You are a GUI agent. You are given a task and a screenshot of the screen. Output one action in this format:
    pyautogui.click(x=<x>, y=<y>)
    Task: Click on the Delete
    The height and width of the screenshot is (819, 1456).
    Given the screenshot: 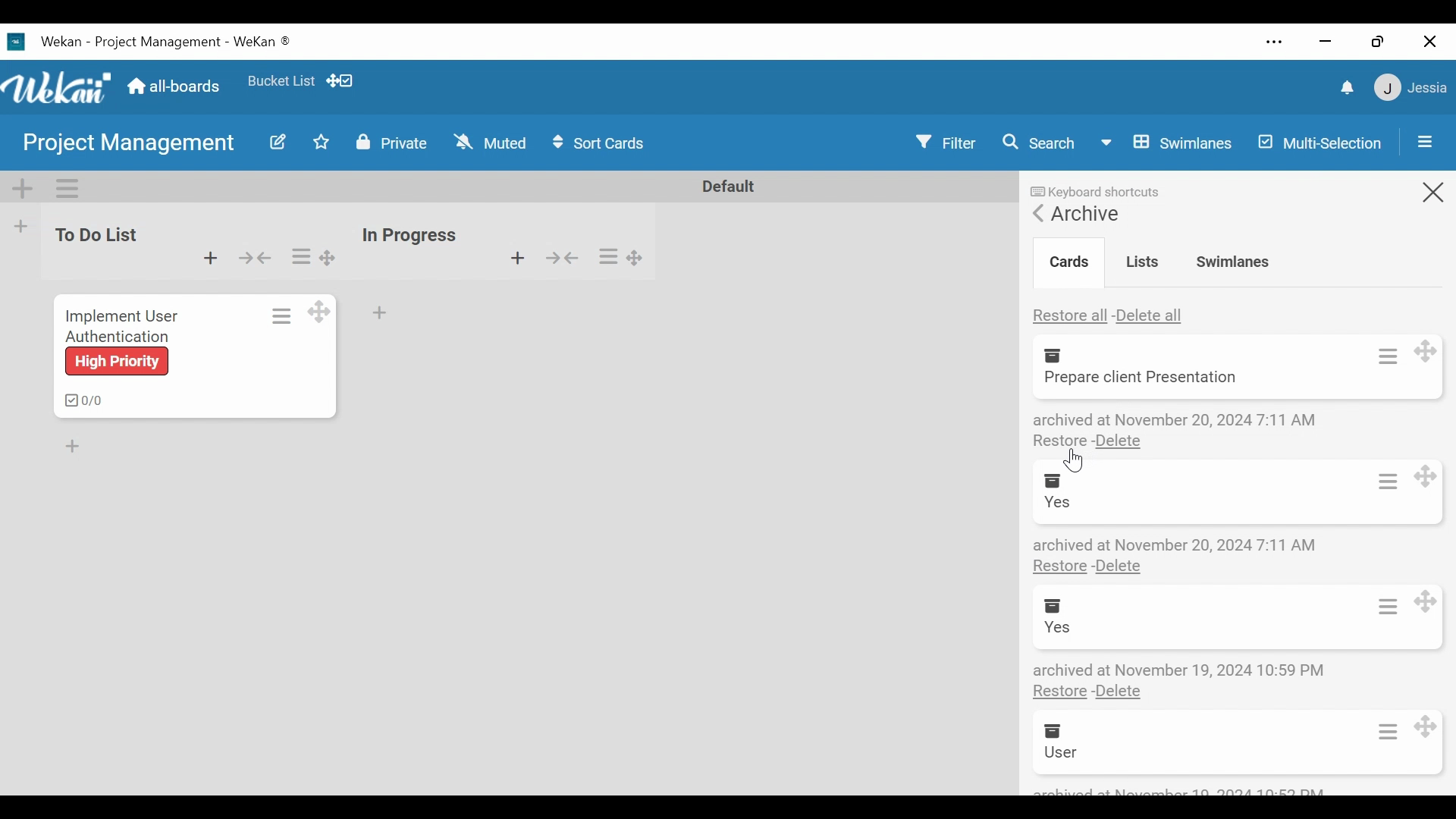 What is the action you would take?
    pyautogui.click(x=1121, y=567)
    